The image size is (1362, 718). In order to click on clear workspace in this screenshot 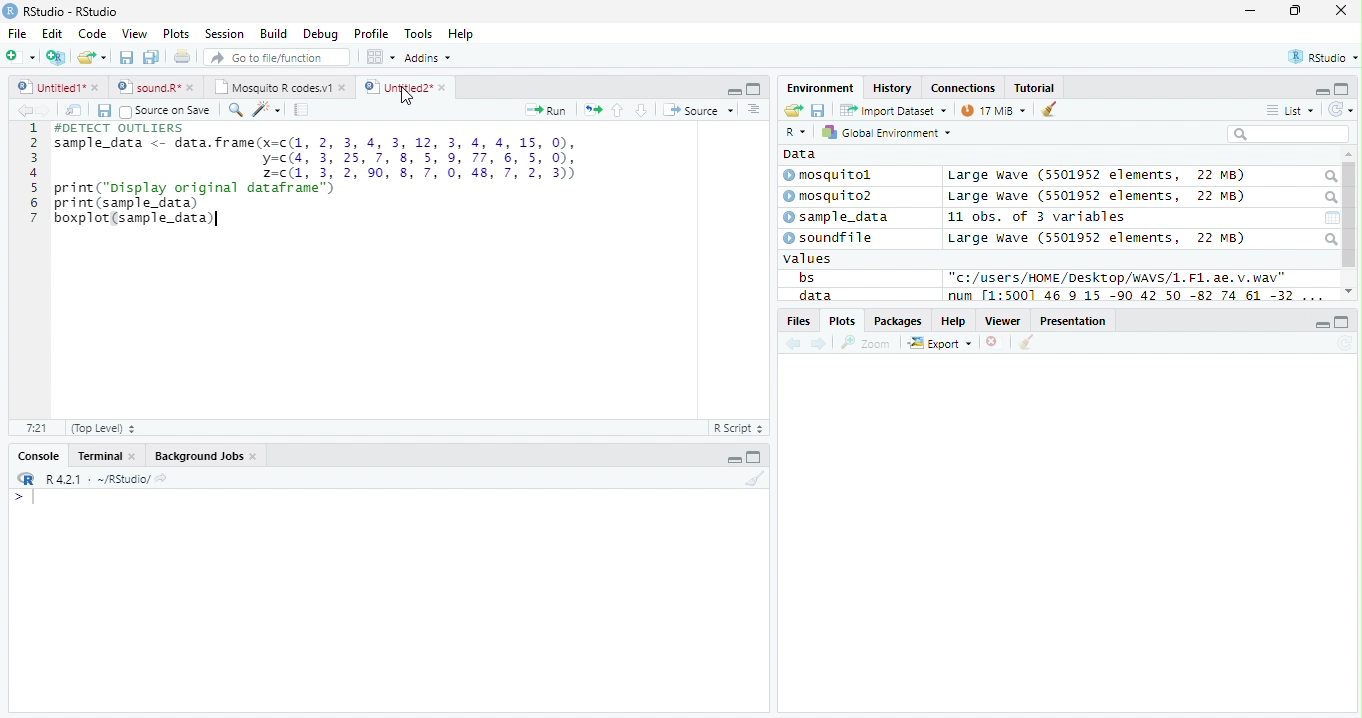, I will do `click(753, 479)`.